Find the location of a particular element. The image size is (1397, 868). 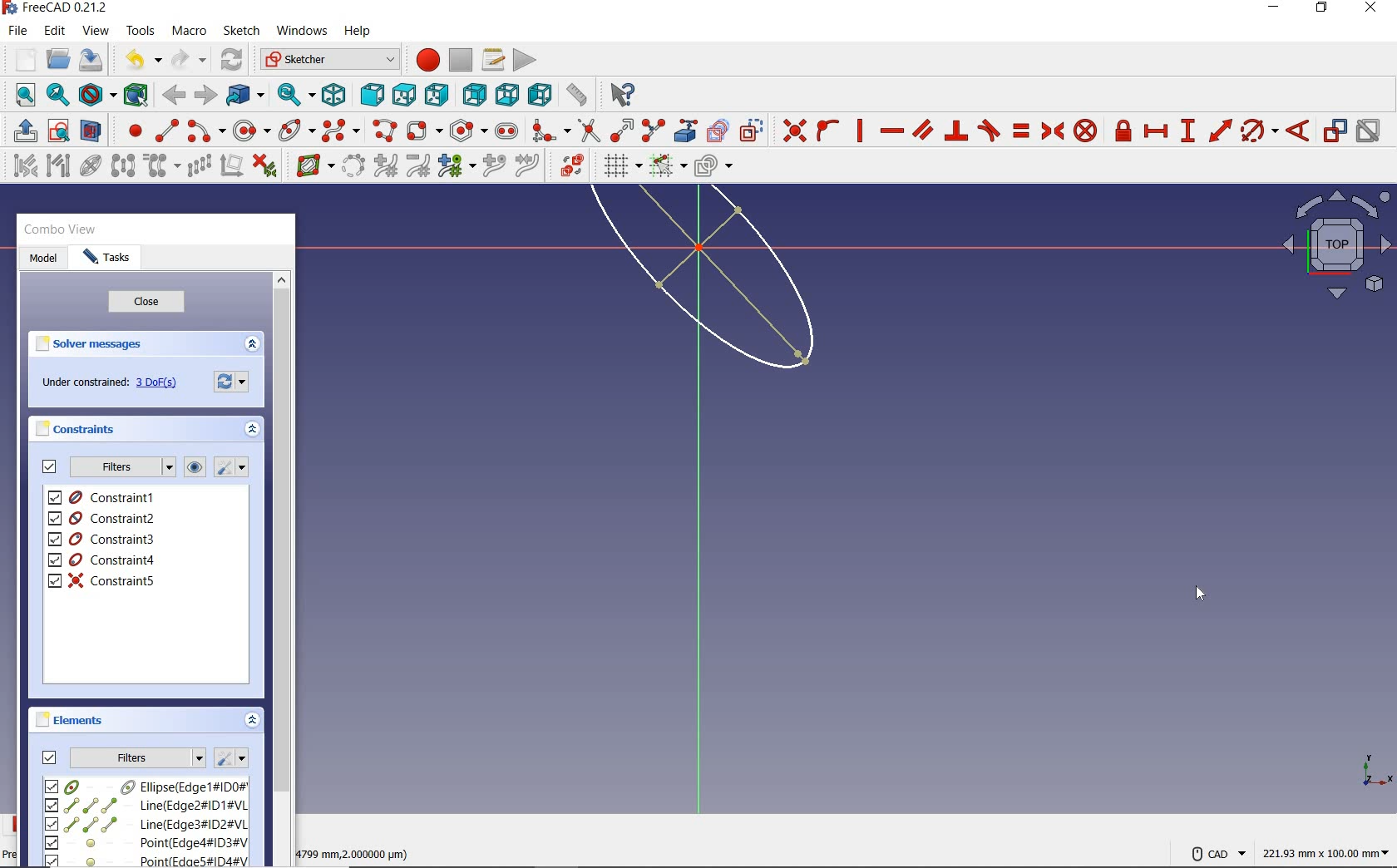

fit selection is located at coordinates (57, 96).